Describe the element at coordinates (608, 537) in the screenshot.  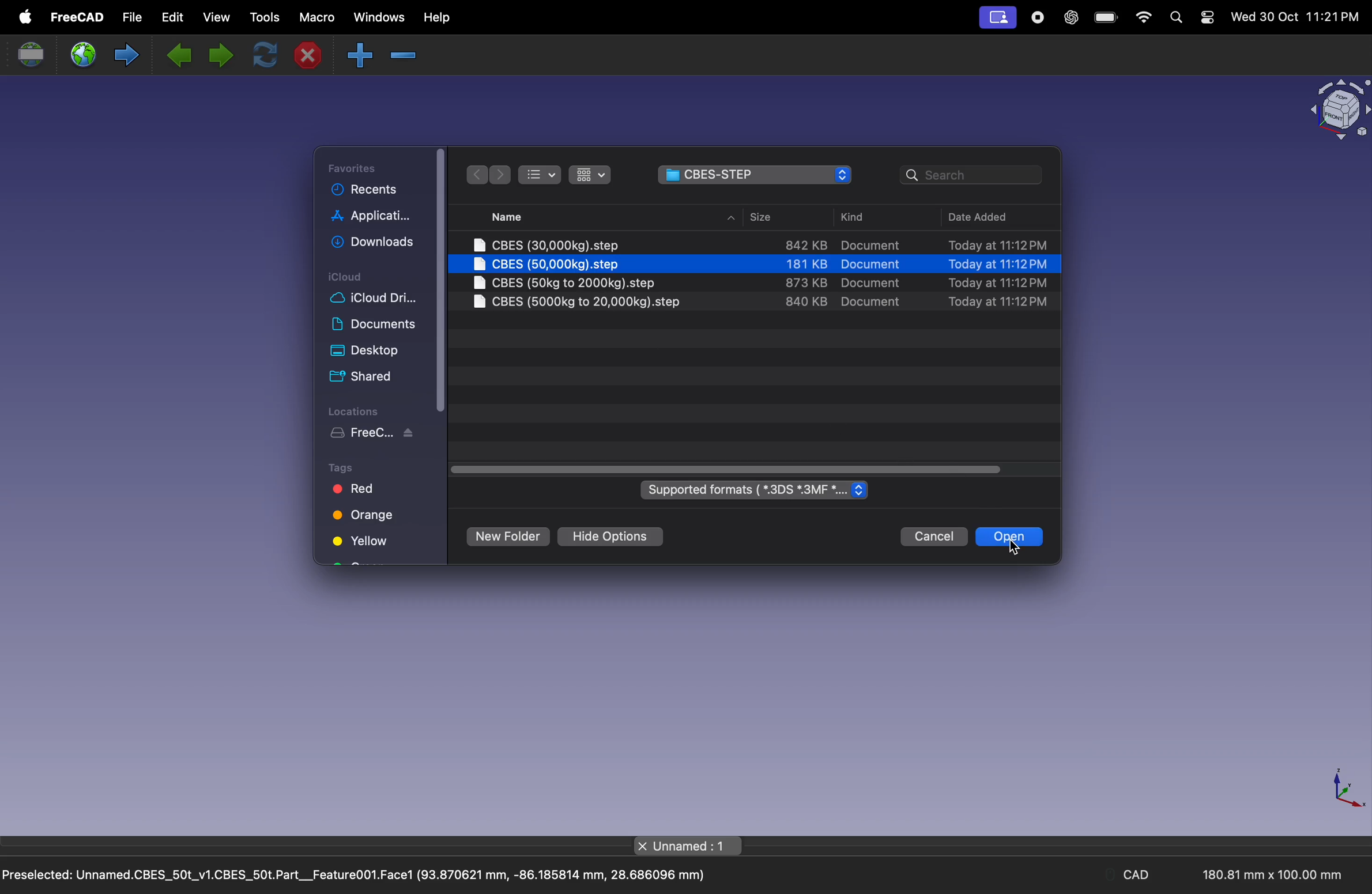
I see `hide options` at that location.